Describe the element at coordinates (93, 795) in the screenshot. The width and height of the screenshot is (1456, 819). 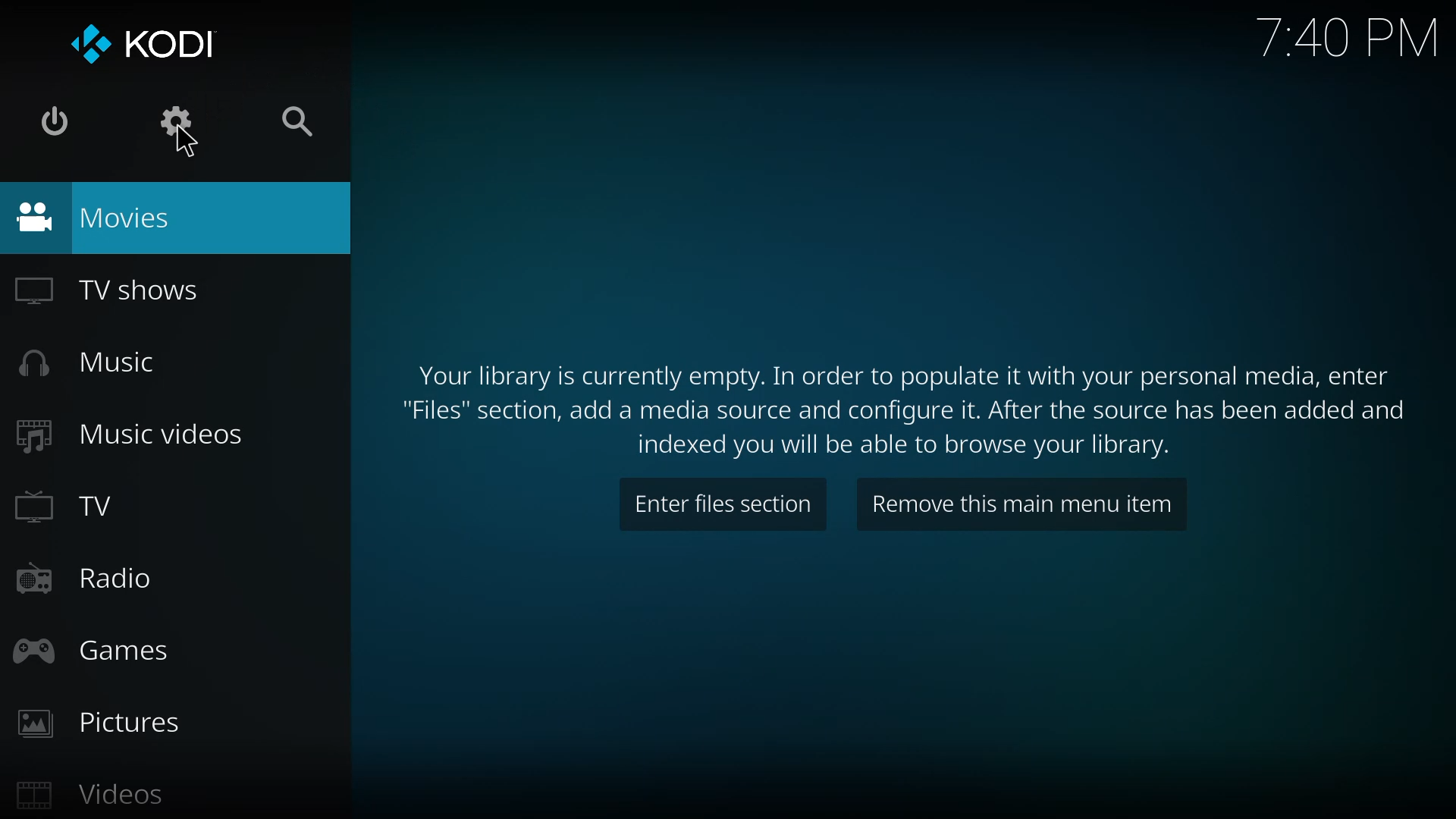
I see `videos` at that location.